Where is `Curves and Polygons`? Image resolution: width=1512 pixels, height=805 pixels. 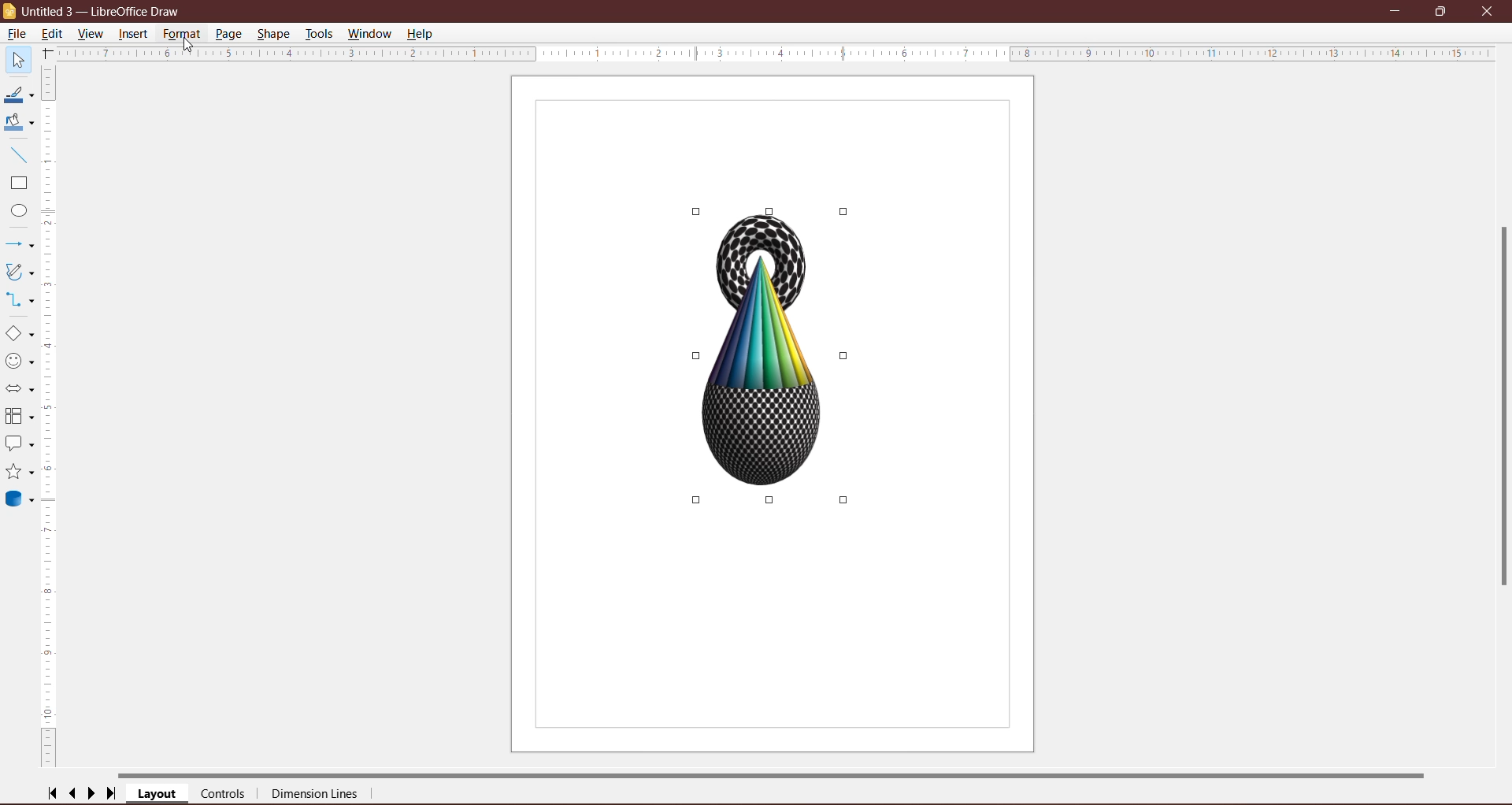 Curves and Polygons is located at coordinates (20, 272).